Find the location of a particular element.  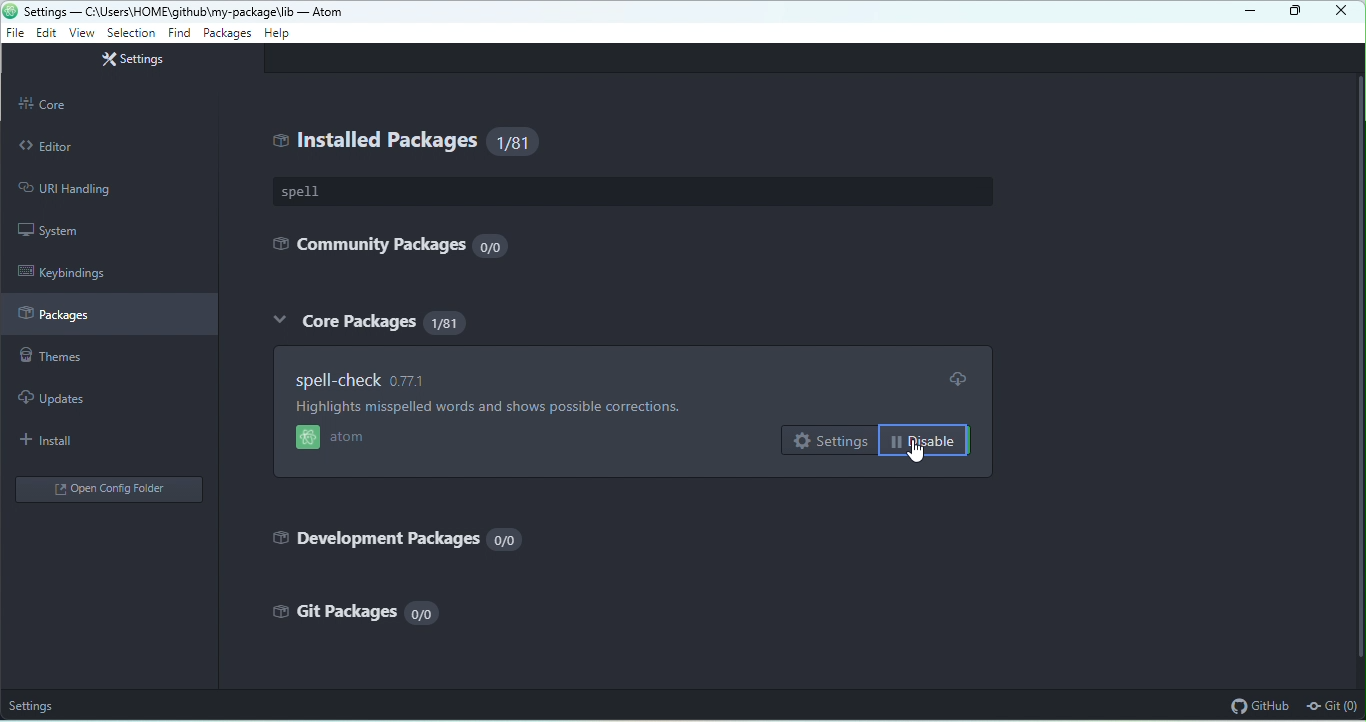

minimize is located at coordinates (1245, 13).